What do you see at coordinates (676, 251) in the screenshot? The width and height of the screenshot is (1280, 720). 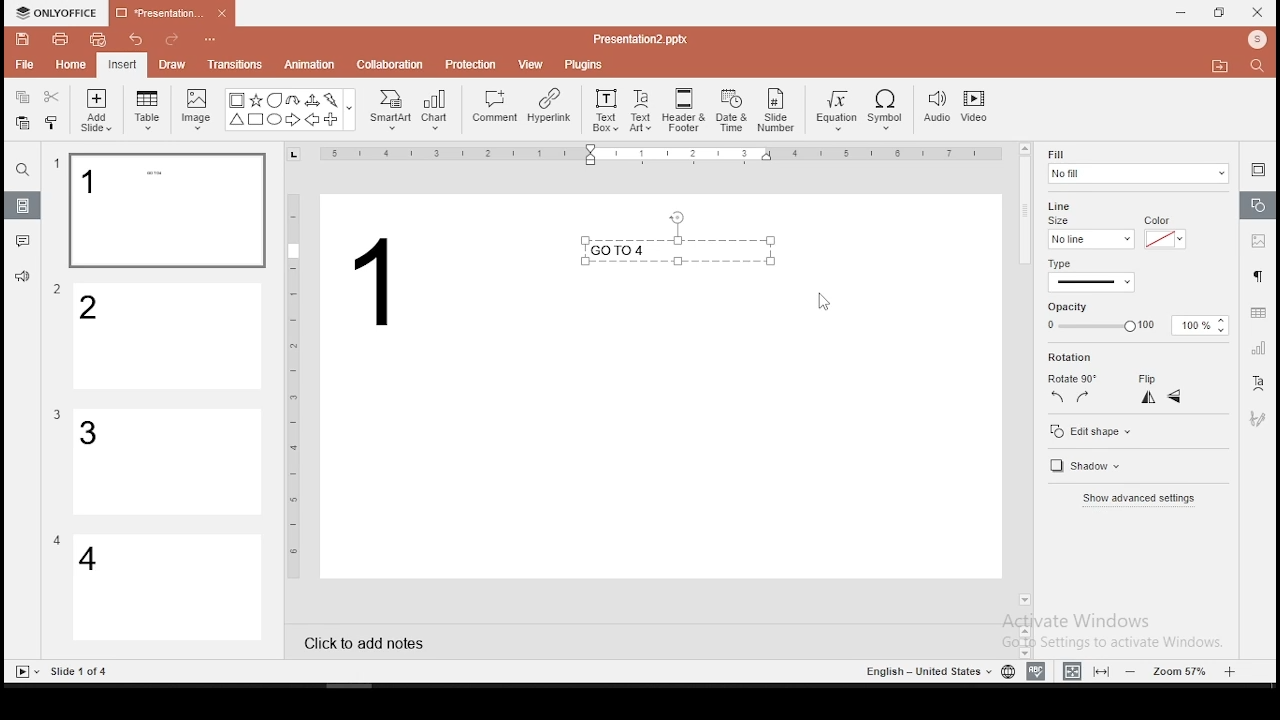 I see `text box` at bounding box center [676, 251].